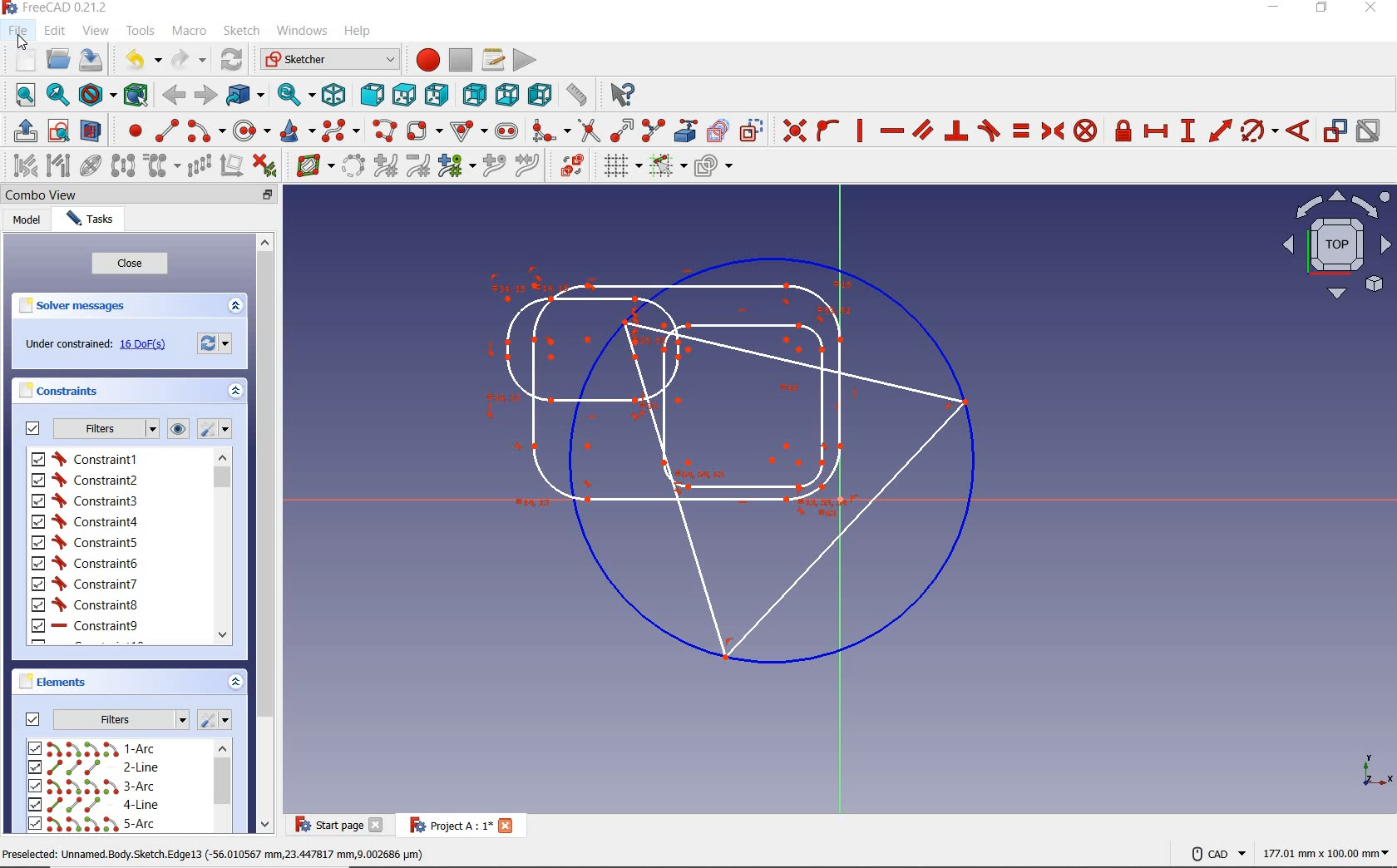  What do you see at coordinates (264, 534) in the screenshot?
I see `scrollbar` at bounding box center [264, 534].